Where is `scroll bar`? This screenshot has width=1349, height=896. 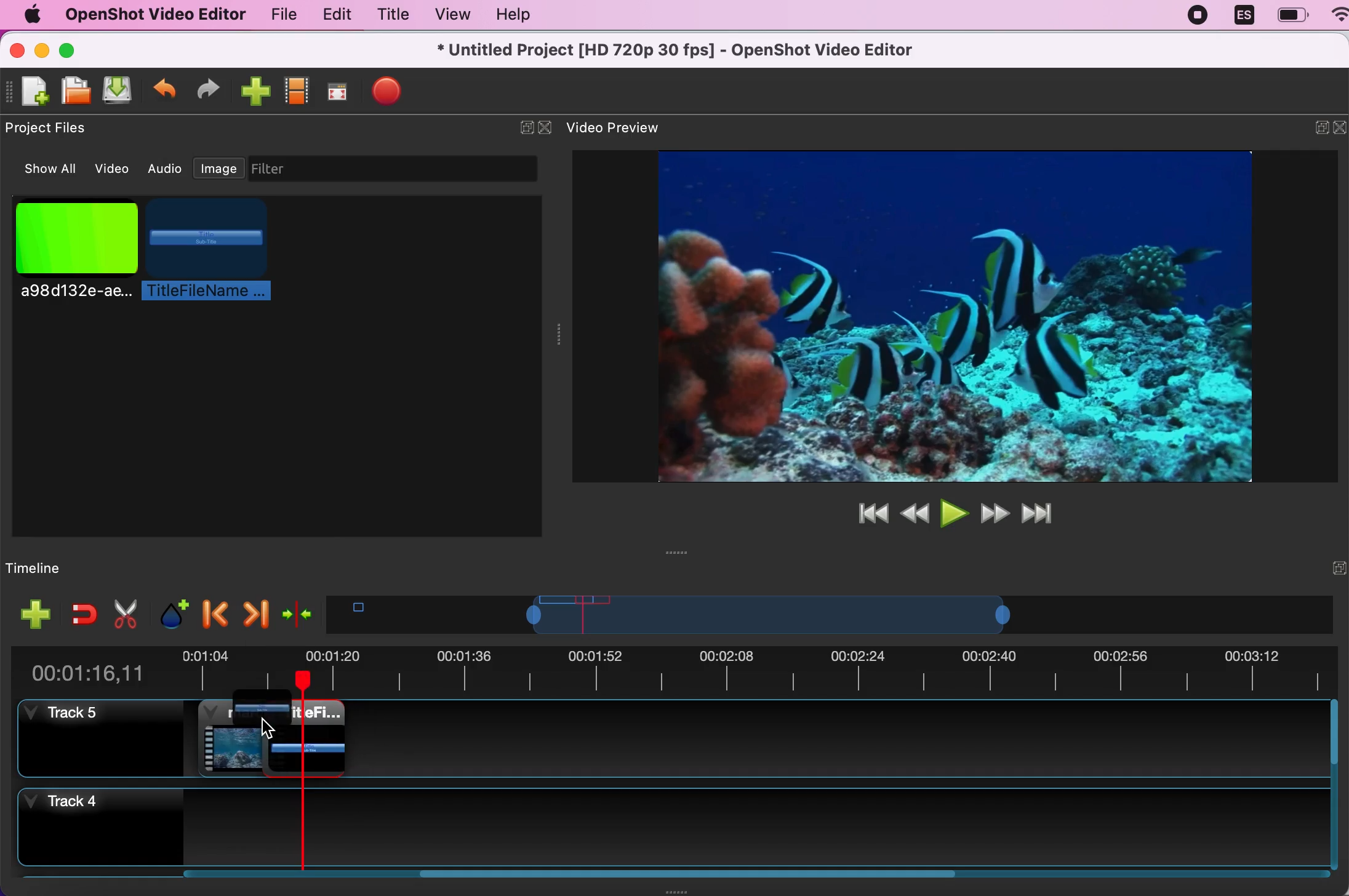 scroll bar is located at coordinates (570, 881).